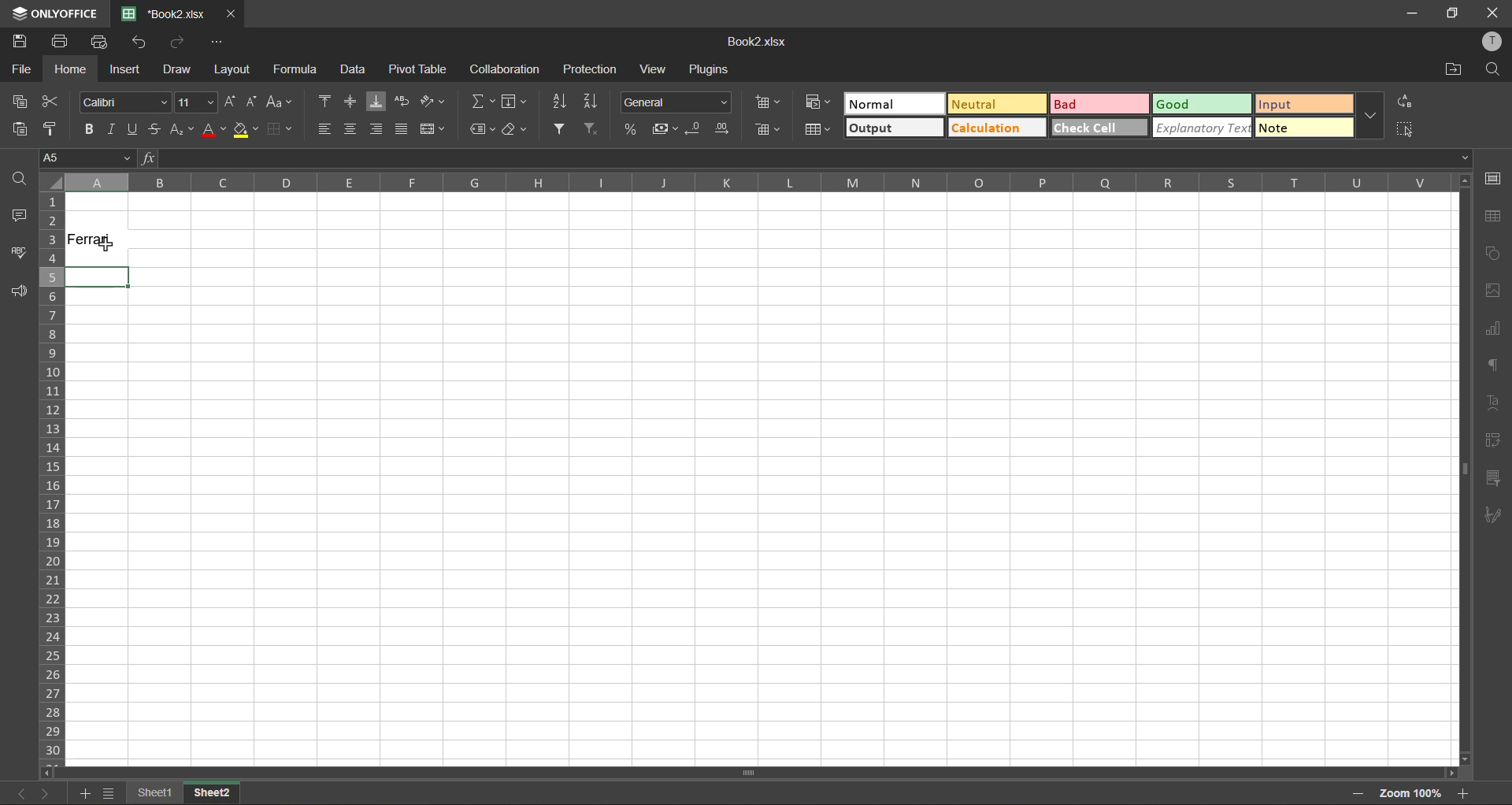  Describe the element at coordinates (378, 128) in the screenshot. I see `align right` at that location.